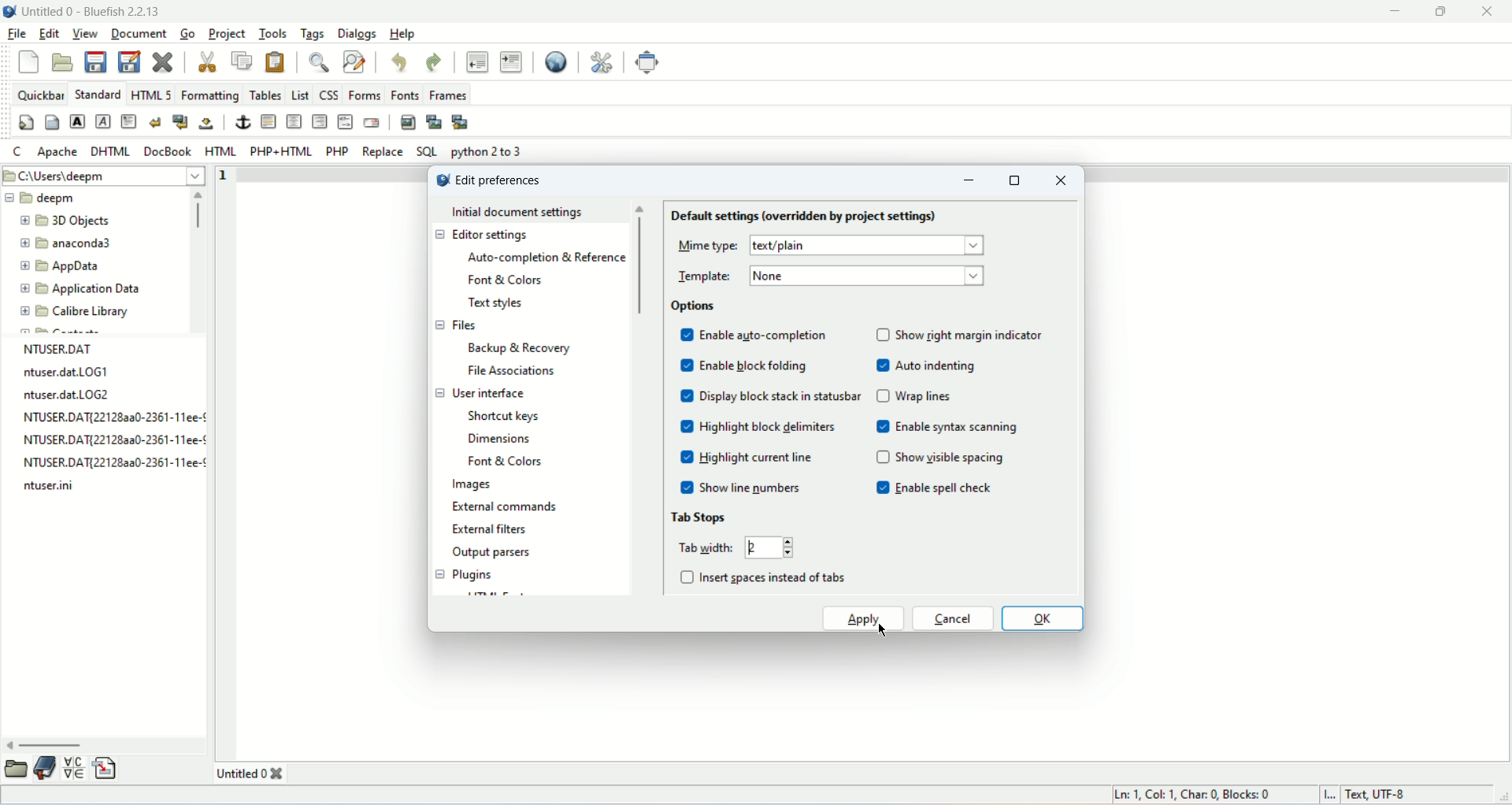 The height and width of the screenshot is (805, 1512). I want to click on Application Data, so click(98, 289).